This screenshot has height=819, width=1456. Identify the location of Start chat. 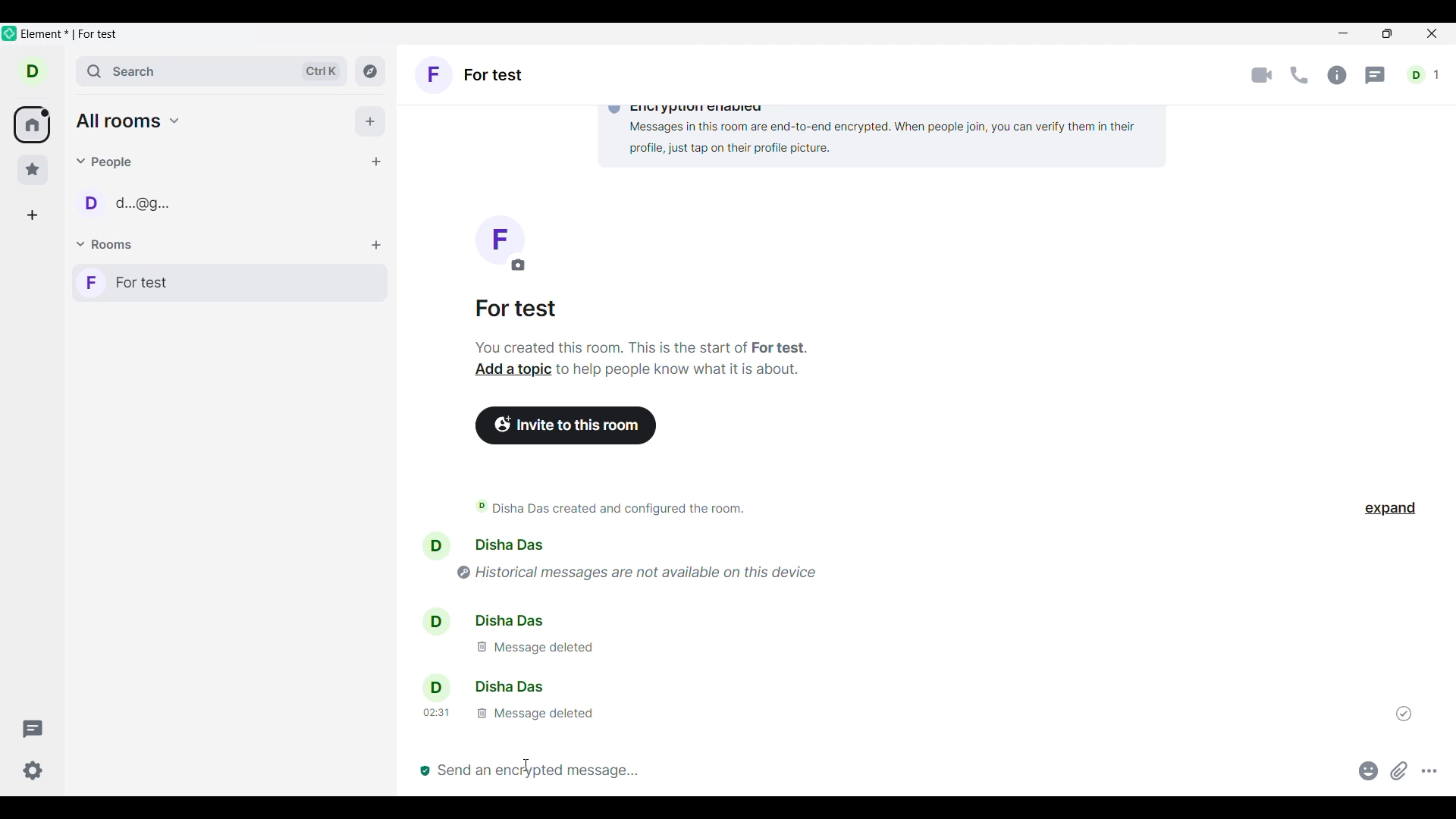
(375, 162).